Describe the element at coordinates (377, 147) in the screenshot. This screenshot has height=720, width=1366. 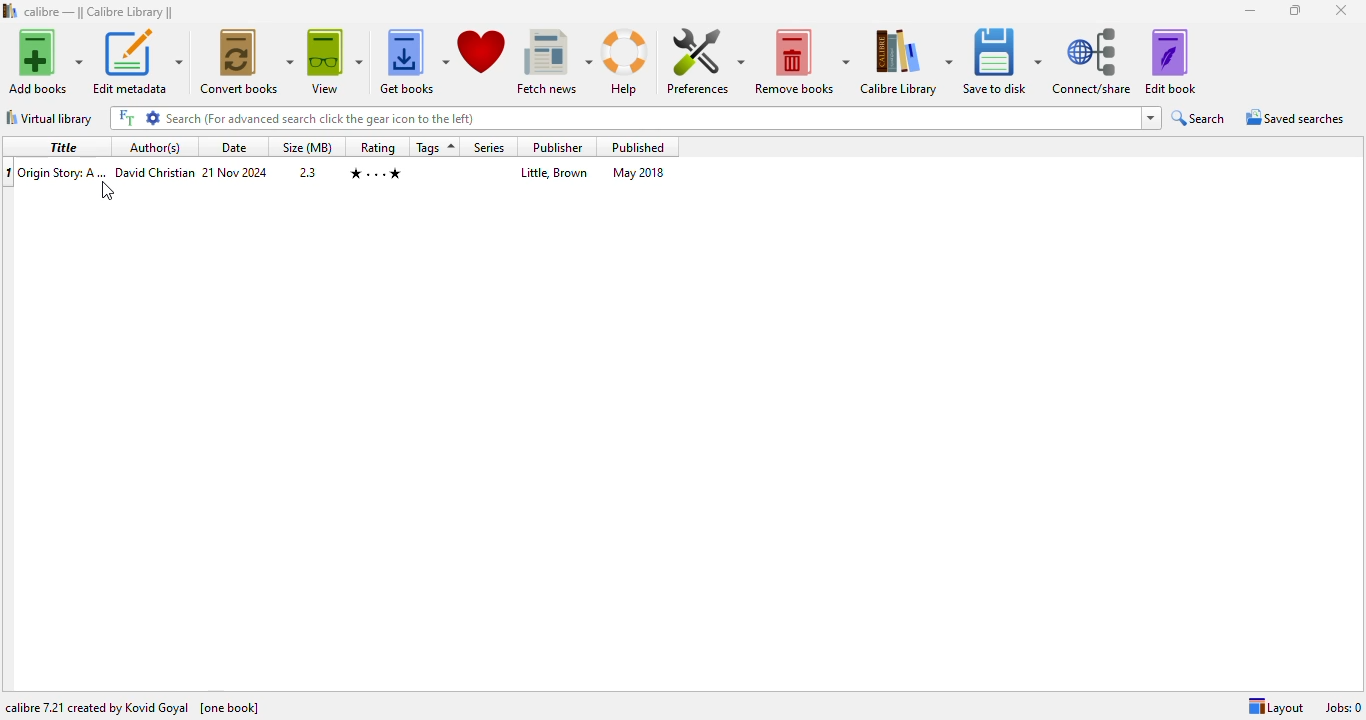
I see `rating` at that location.